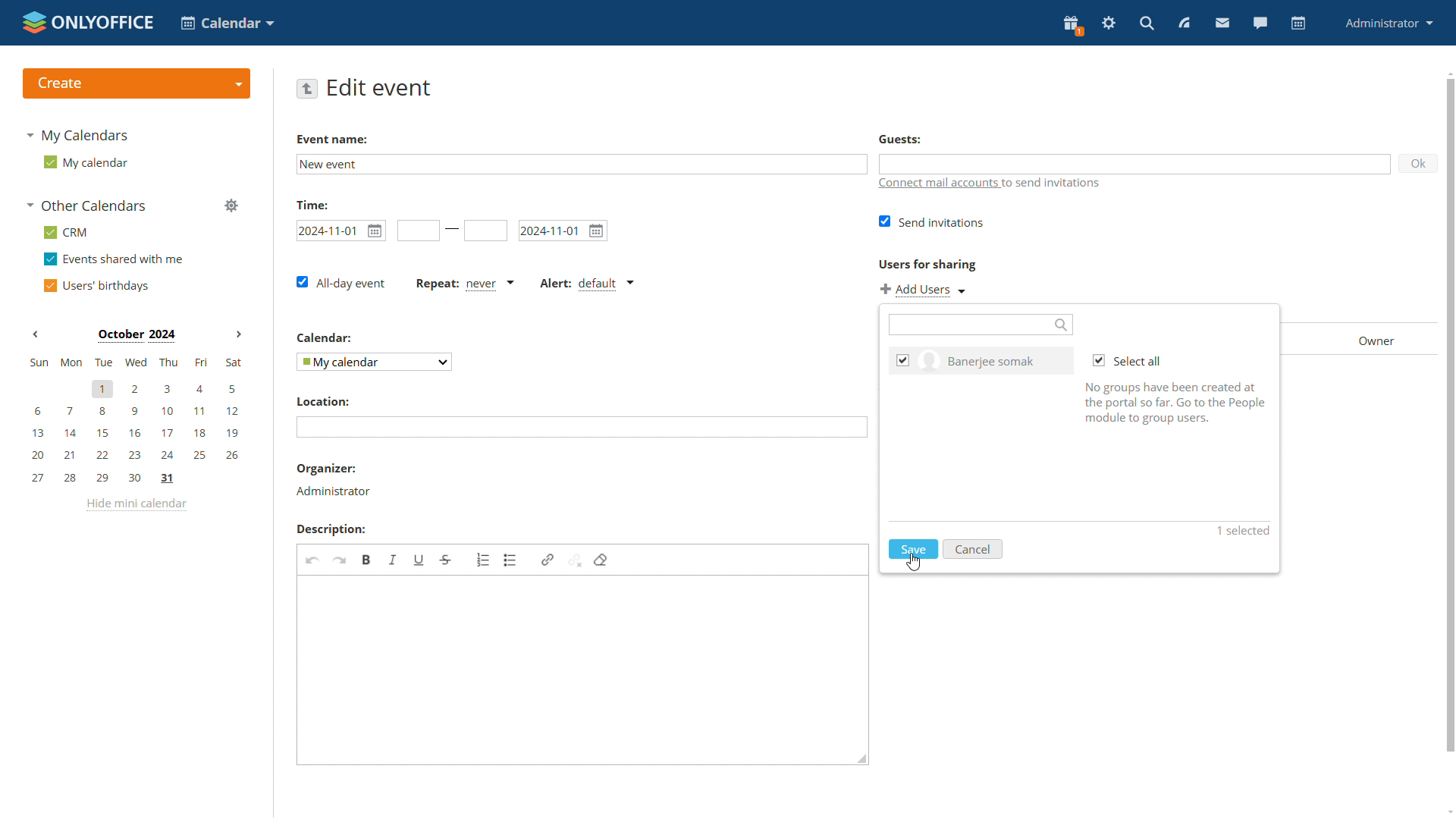 The image size is (1456, 819). What do you see at coordinates (1241, 532) in the screenshot?
I see `number of invitees` at bounding box center [1241, 532].